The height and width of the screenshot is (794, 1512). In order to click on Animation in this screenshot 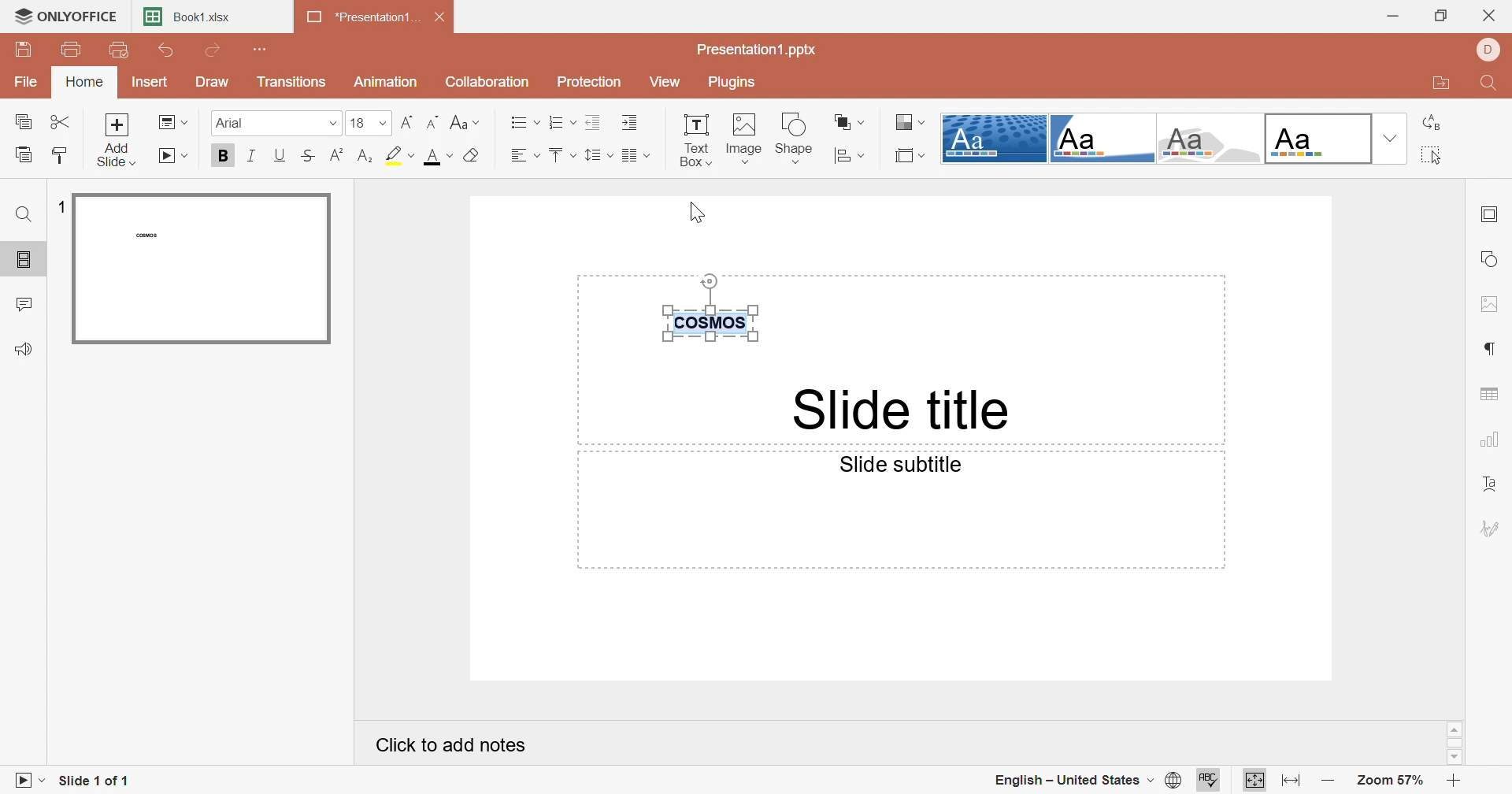, I will do `click(386, 82)`.